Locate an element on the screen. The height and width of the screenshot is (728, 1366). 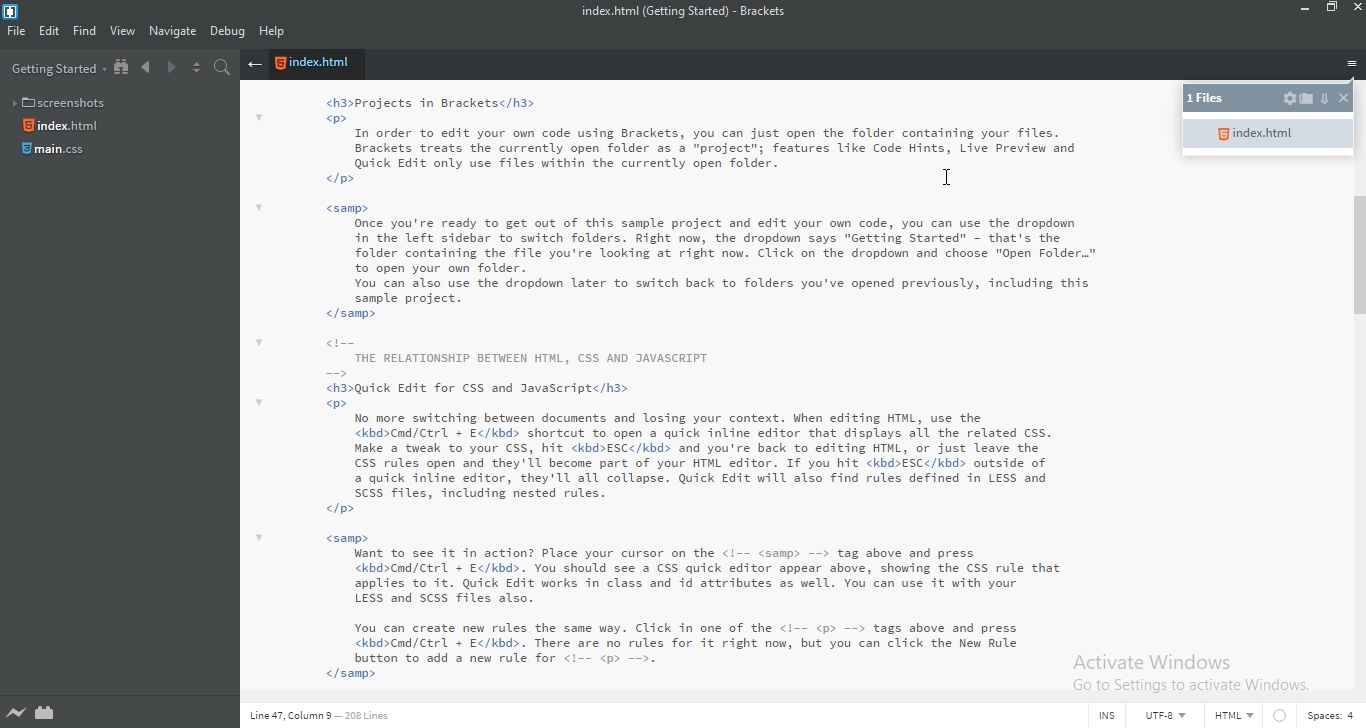
Next document is located at coordinates (170, 69).